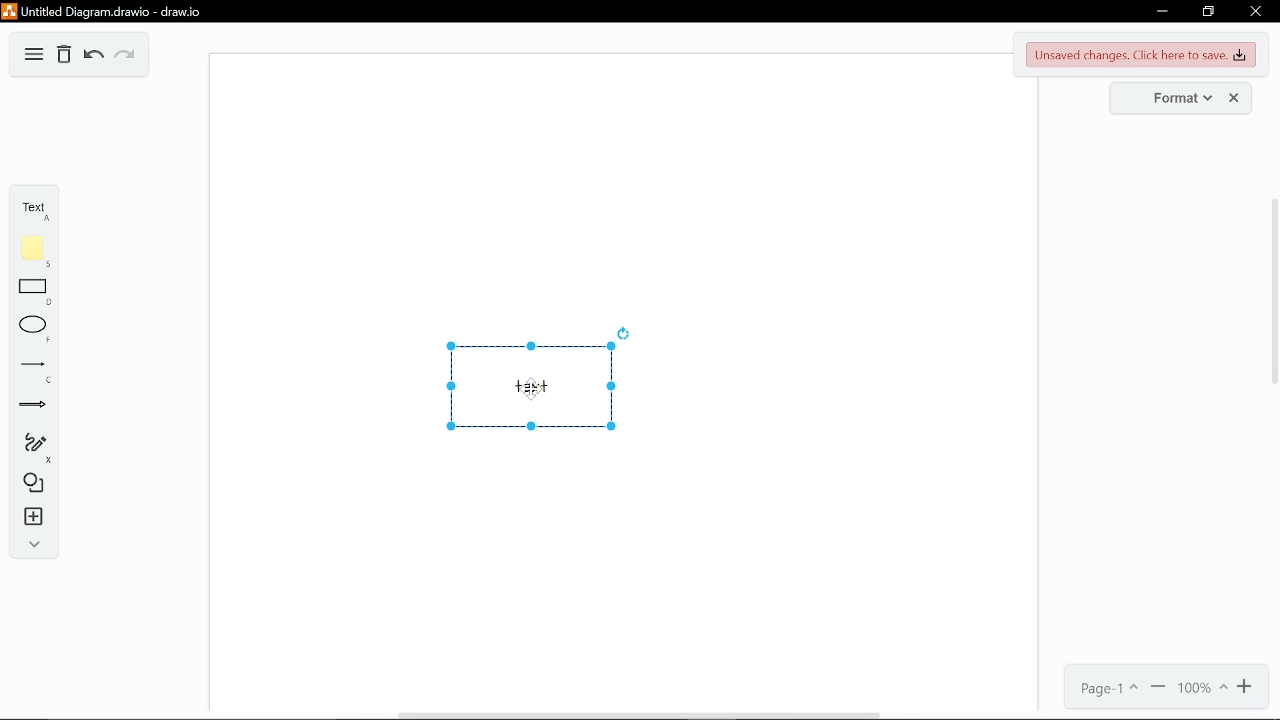 The height and width of the screenshot is (720, 1280). I want to click on insert, so click(29, 518).